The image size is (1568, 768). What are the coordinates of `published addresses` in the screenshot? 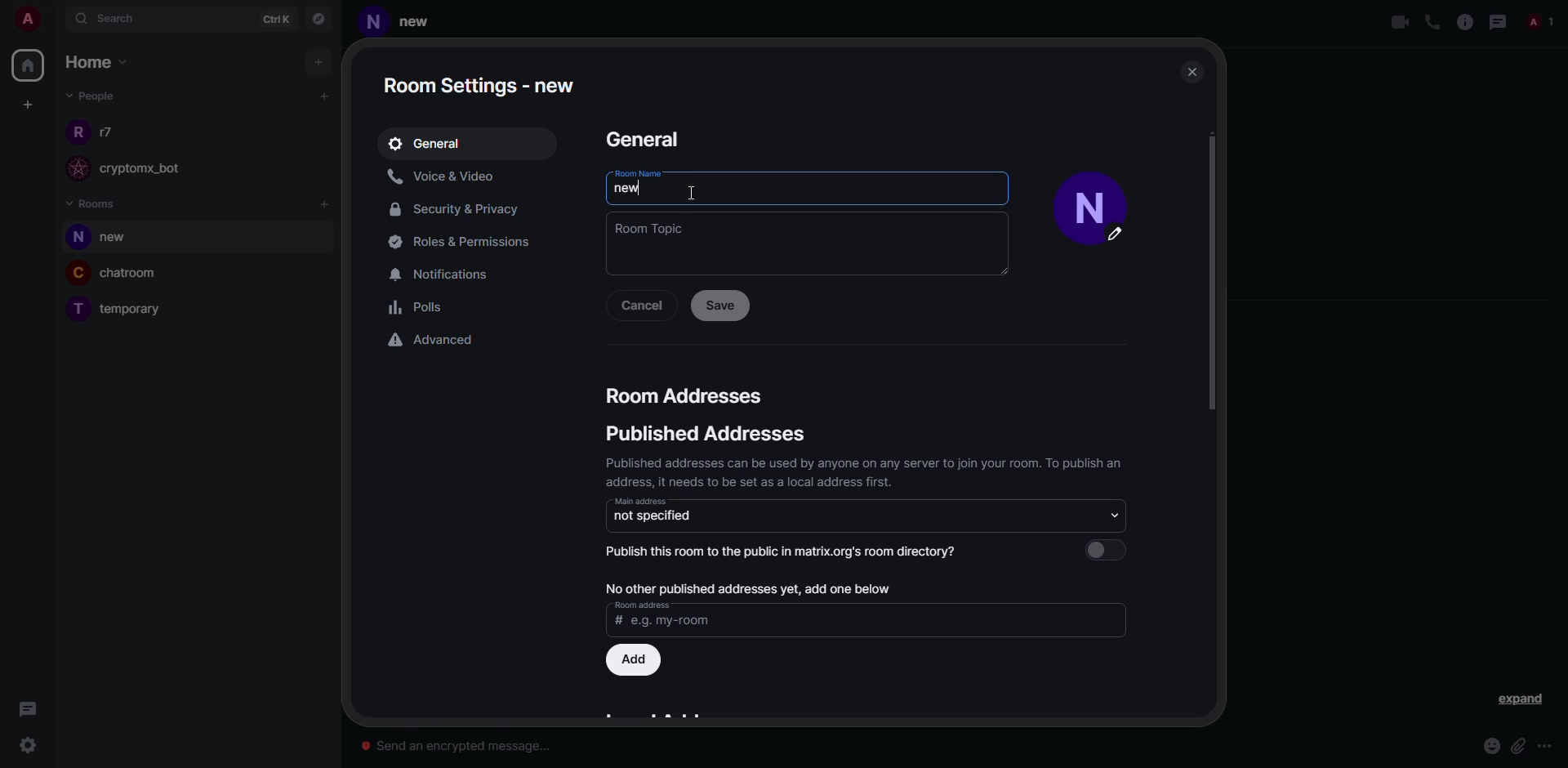 It's located at (702, 435).